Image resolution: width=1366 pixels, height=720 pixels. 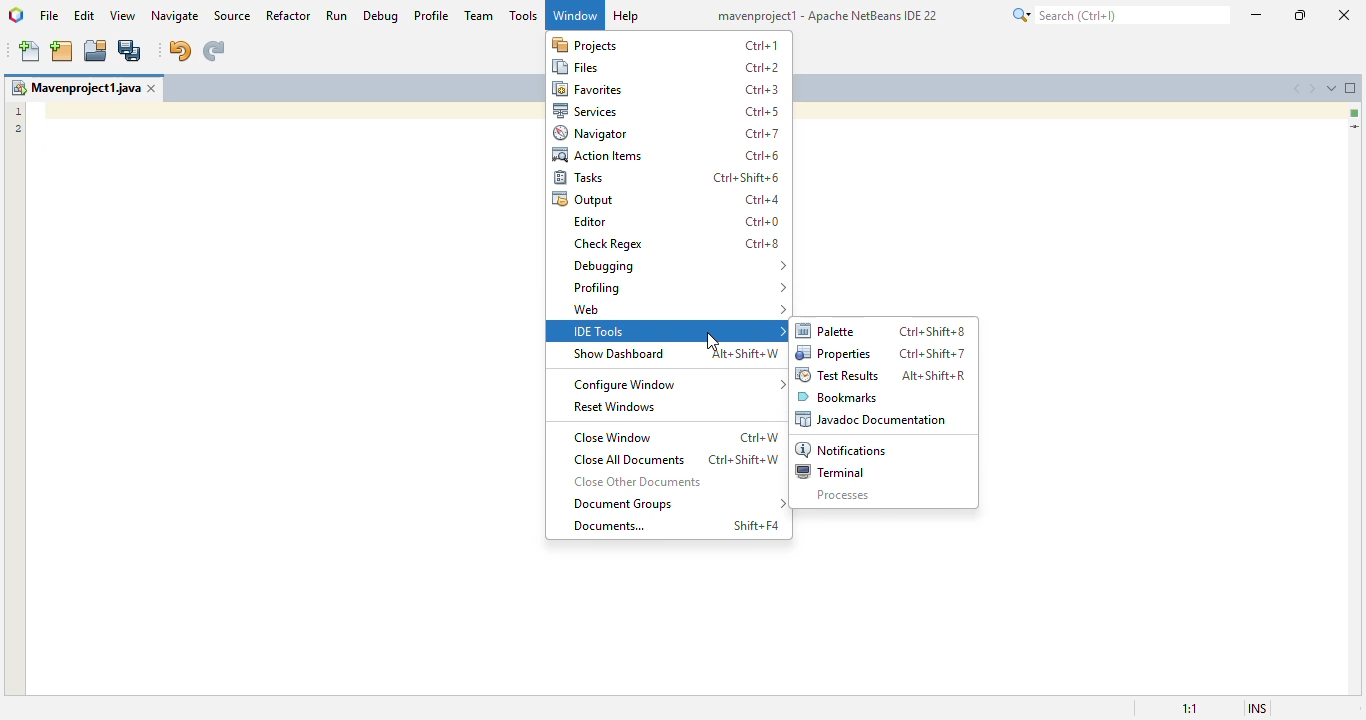 What do you see at coordinates (936, 375) in the screenshot?
I see `shortcut for test results` at bounding box center [936, 375].